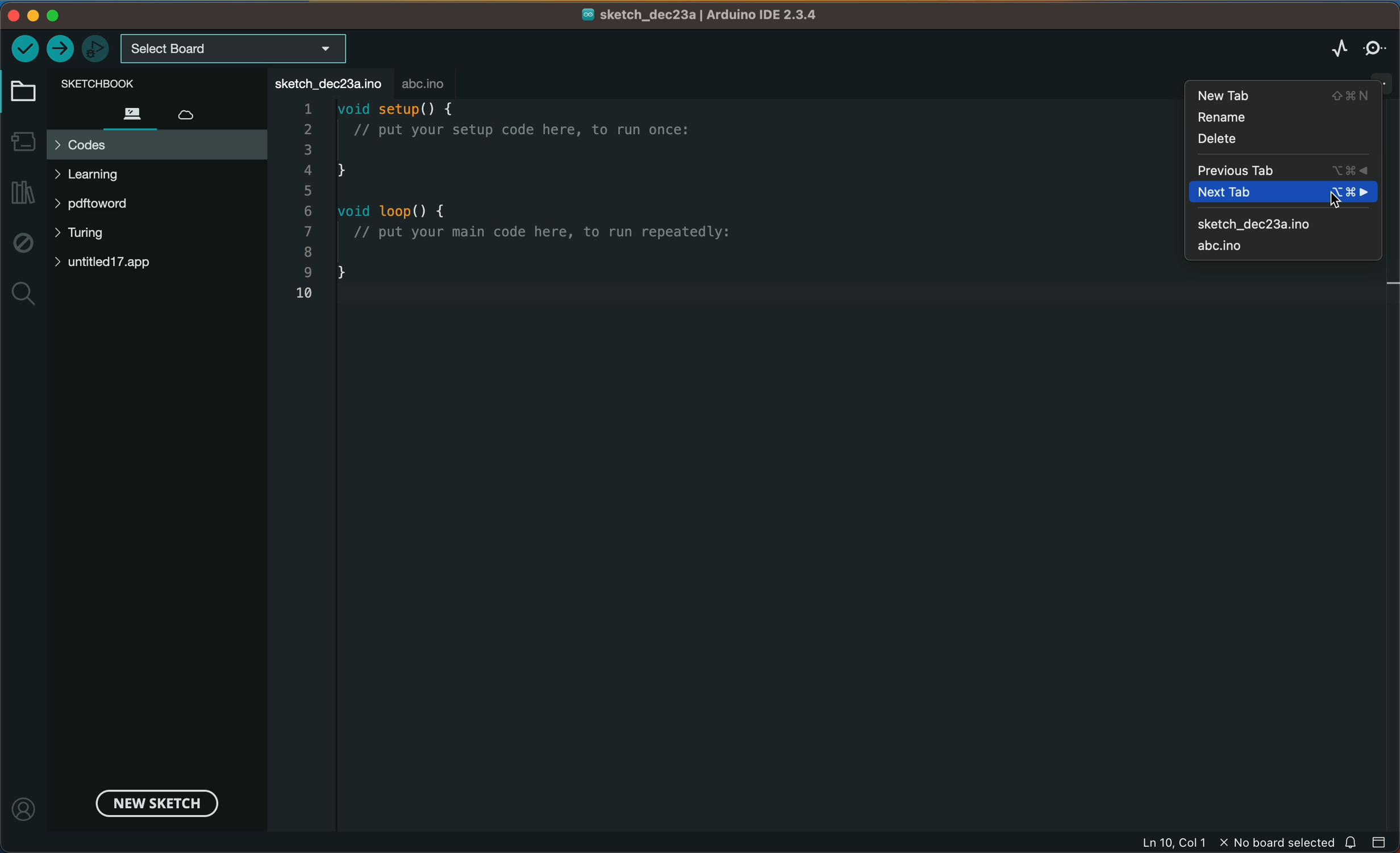  What do you see at coordinates (21, 142) in the screenshot?
I see `board manager` at bounding box center [21, 142].